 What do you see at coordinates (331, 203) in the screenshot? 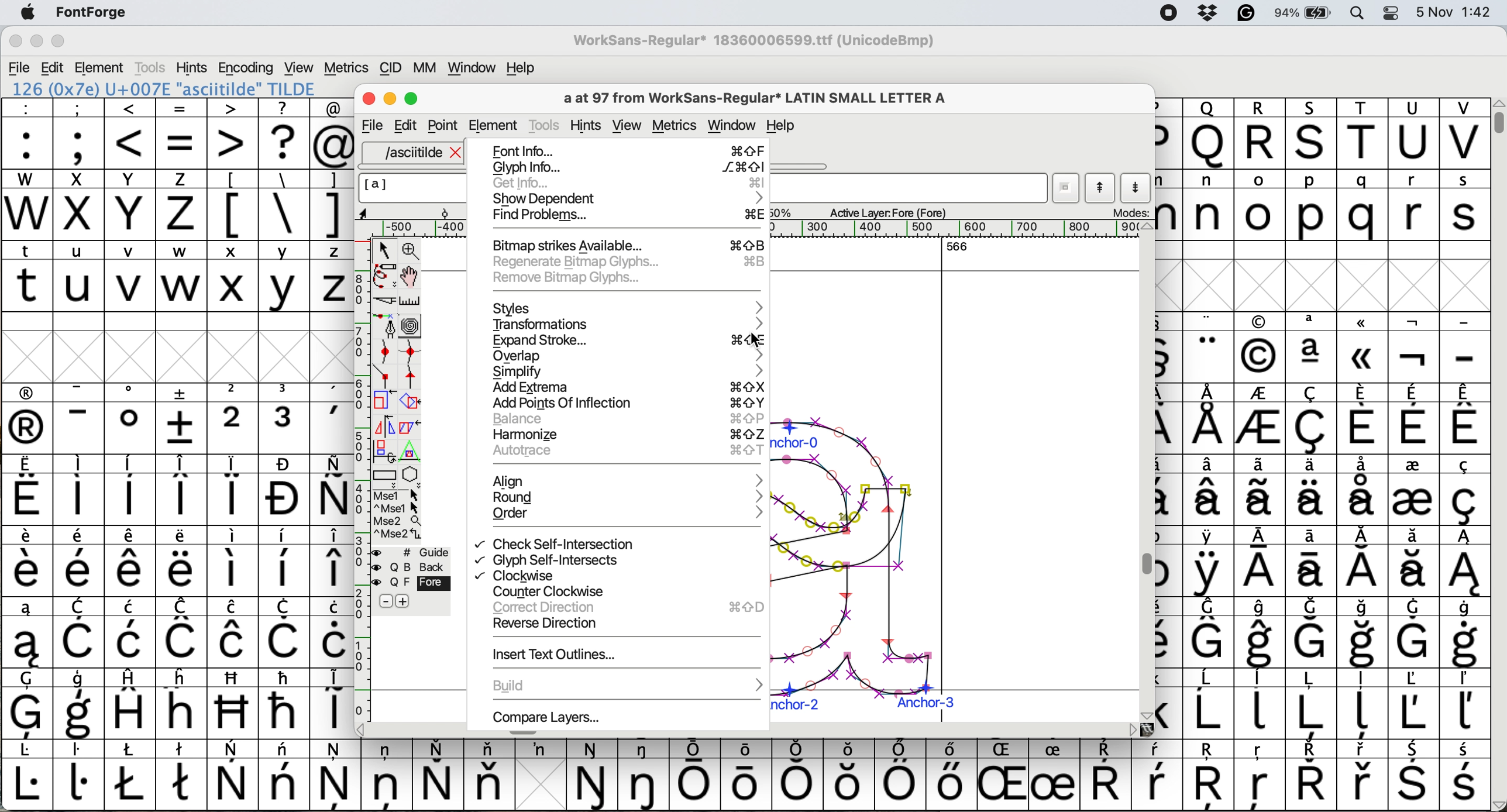
I see `]` at bounding box center [331, 203].